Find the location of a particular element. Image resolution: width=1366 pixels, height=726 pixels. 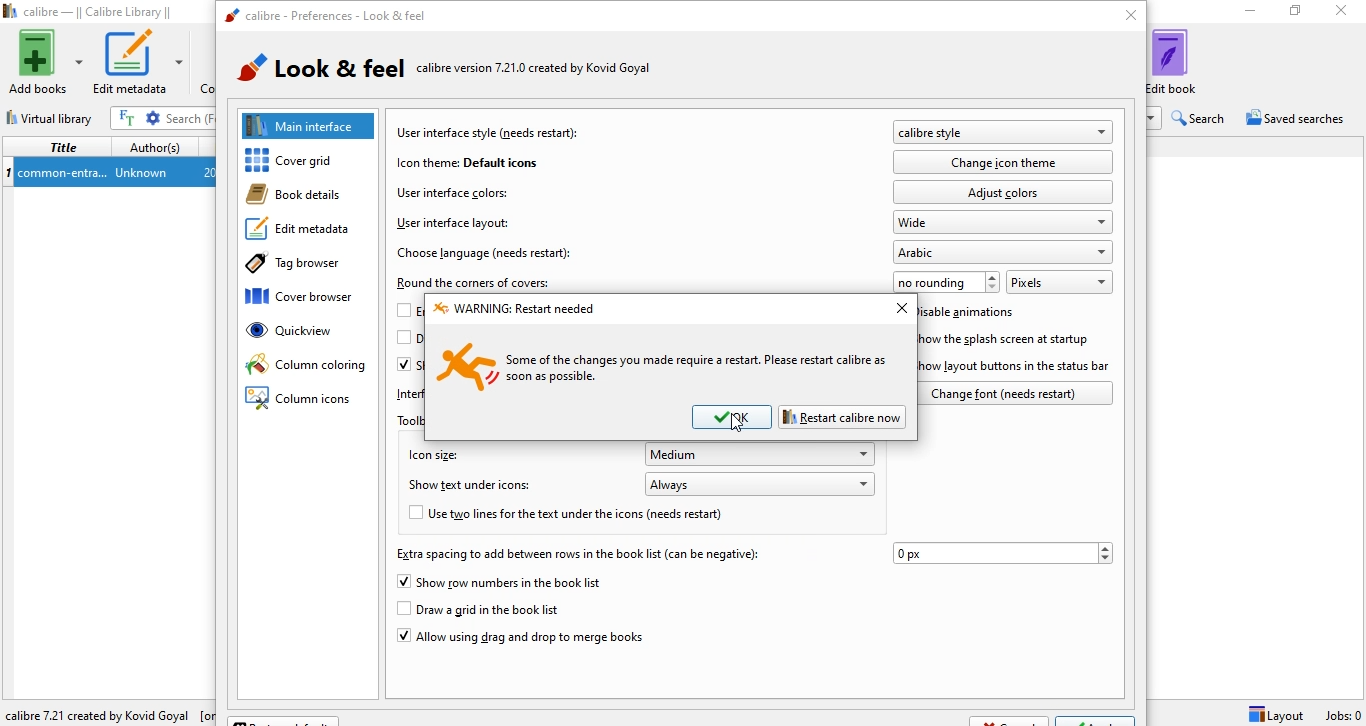

Edit metadata is located at coordinates (140, 62).